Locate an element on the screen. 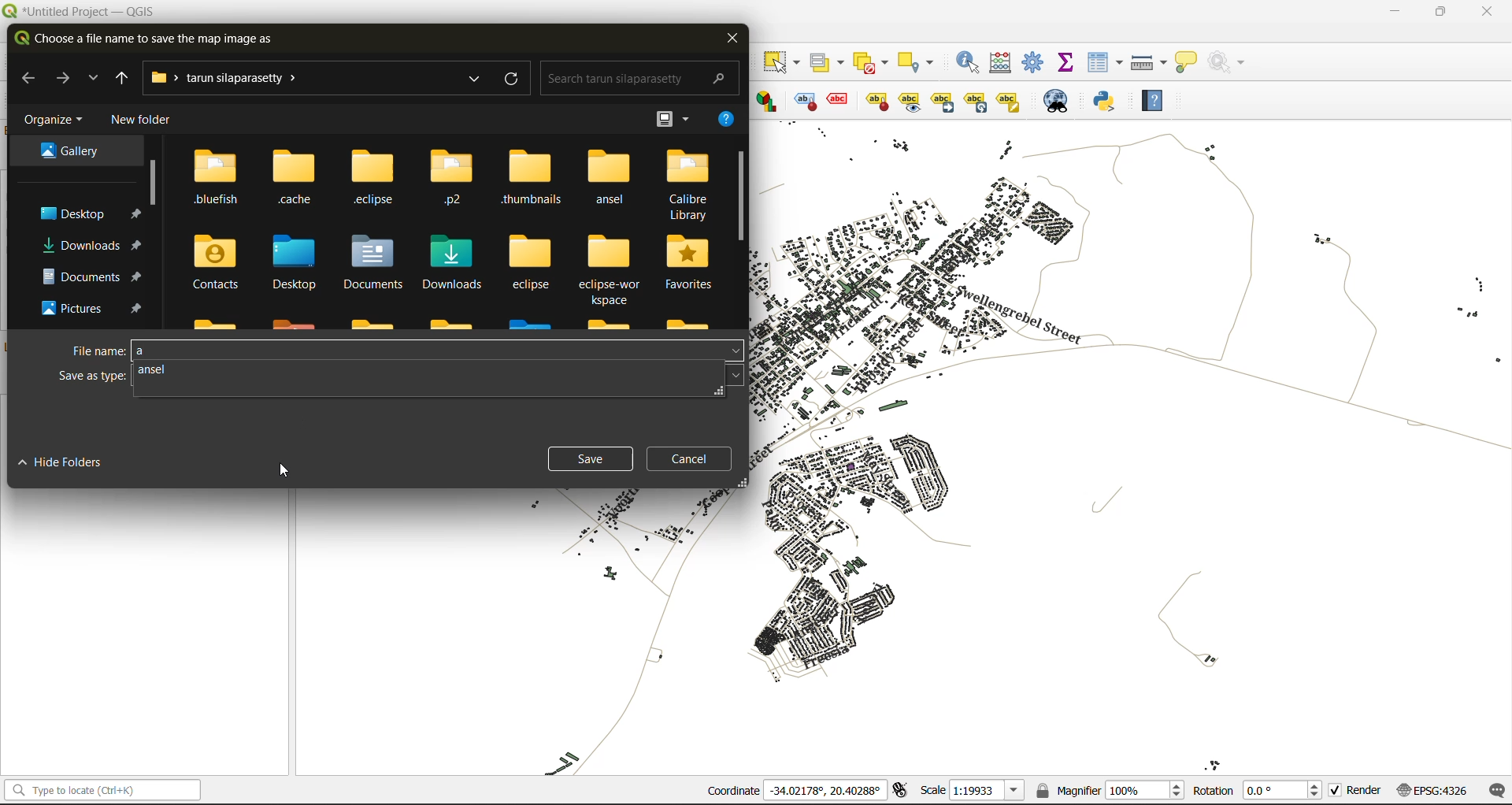  explore is located at coordinates (472, 80).